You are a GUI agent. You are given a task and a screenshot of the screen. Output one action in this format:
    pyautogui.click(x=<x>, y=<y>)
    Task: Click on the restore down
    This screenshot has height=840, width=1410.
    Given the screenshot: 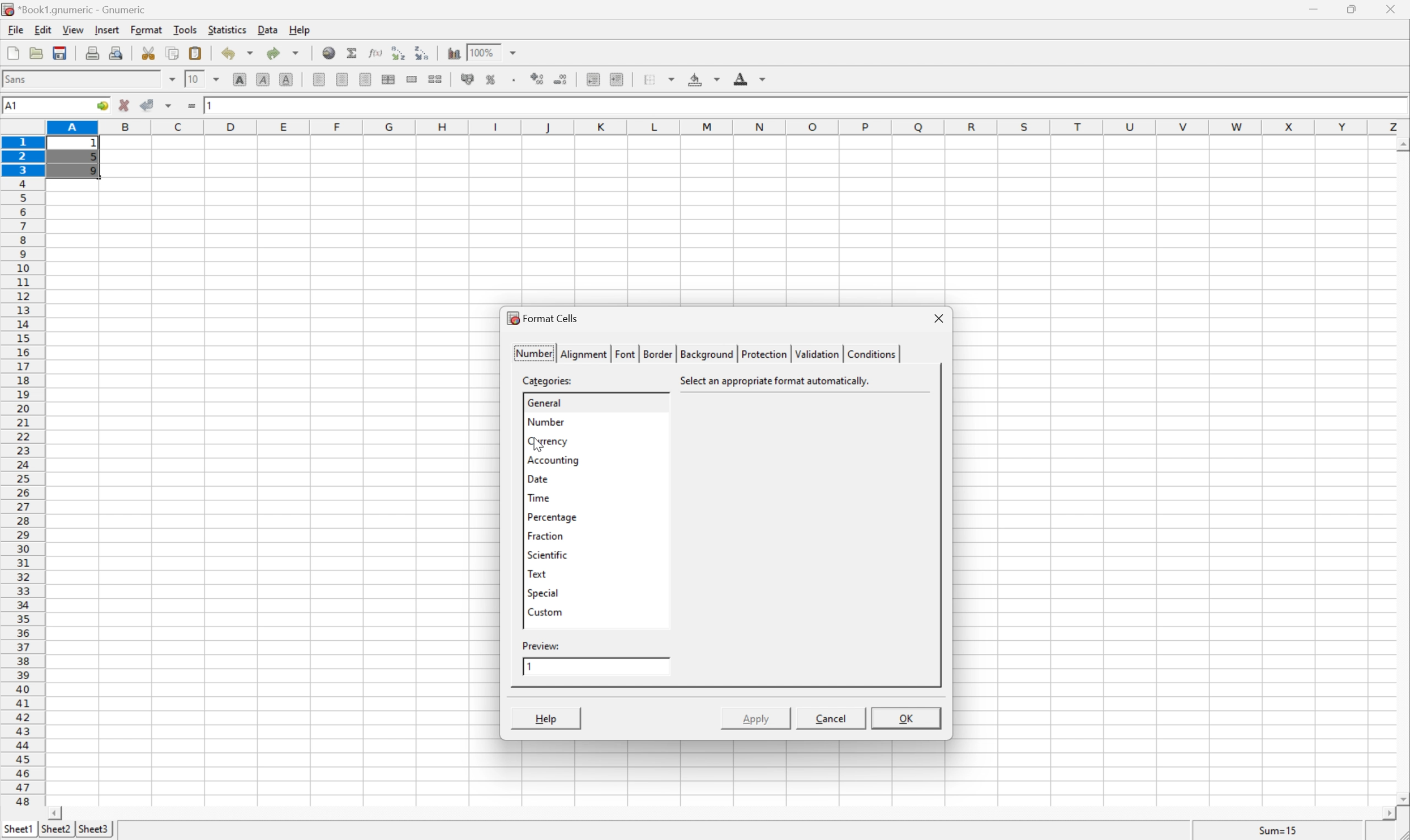 What is the action you would take?
    pyautogui.click(x=1353, y=9)
    